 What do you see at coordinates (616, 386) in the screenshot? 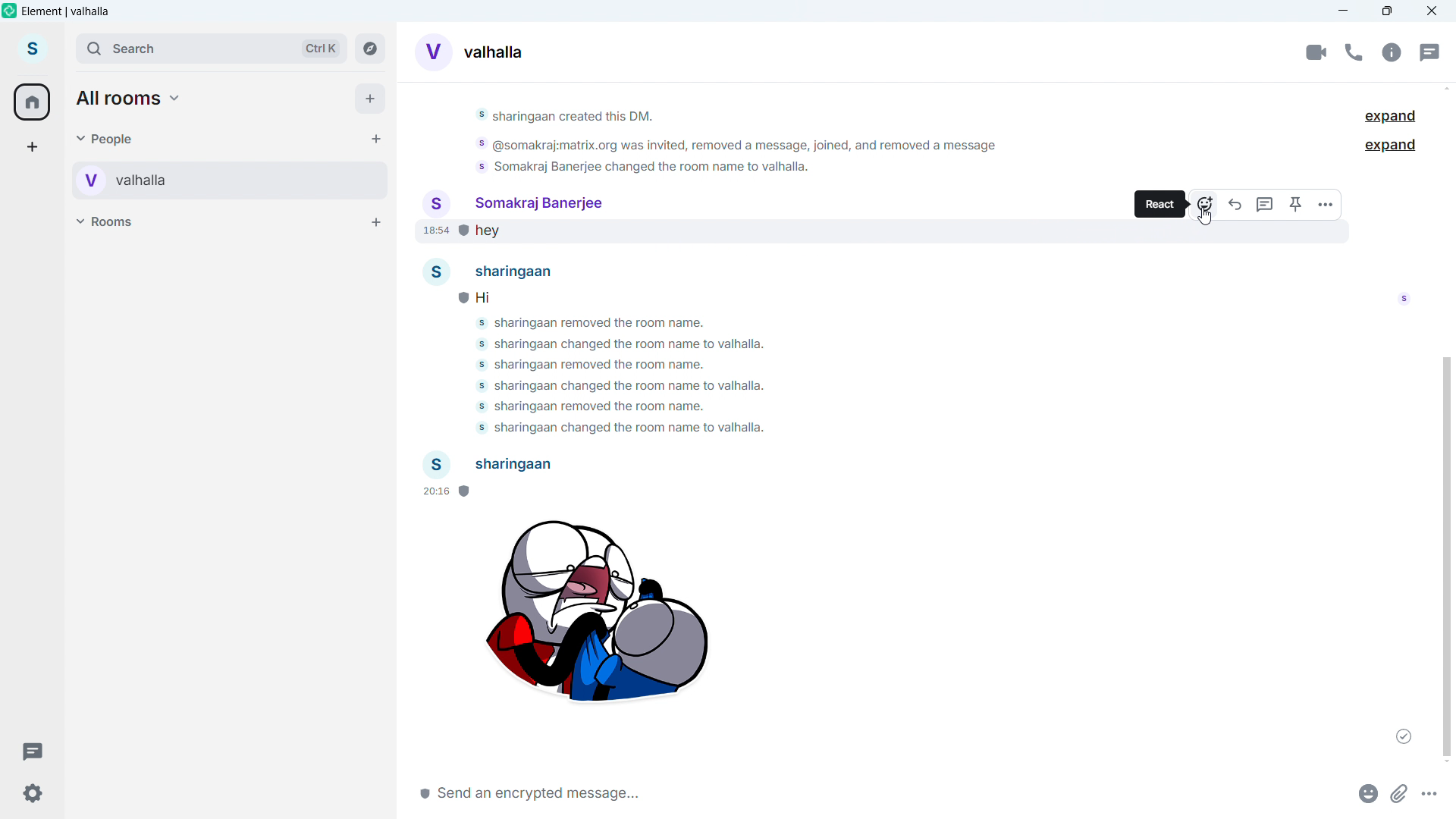
I see `somakraj banerjee charged the room name to valhalla` at bounding box center [616, 386].